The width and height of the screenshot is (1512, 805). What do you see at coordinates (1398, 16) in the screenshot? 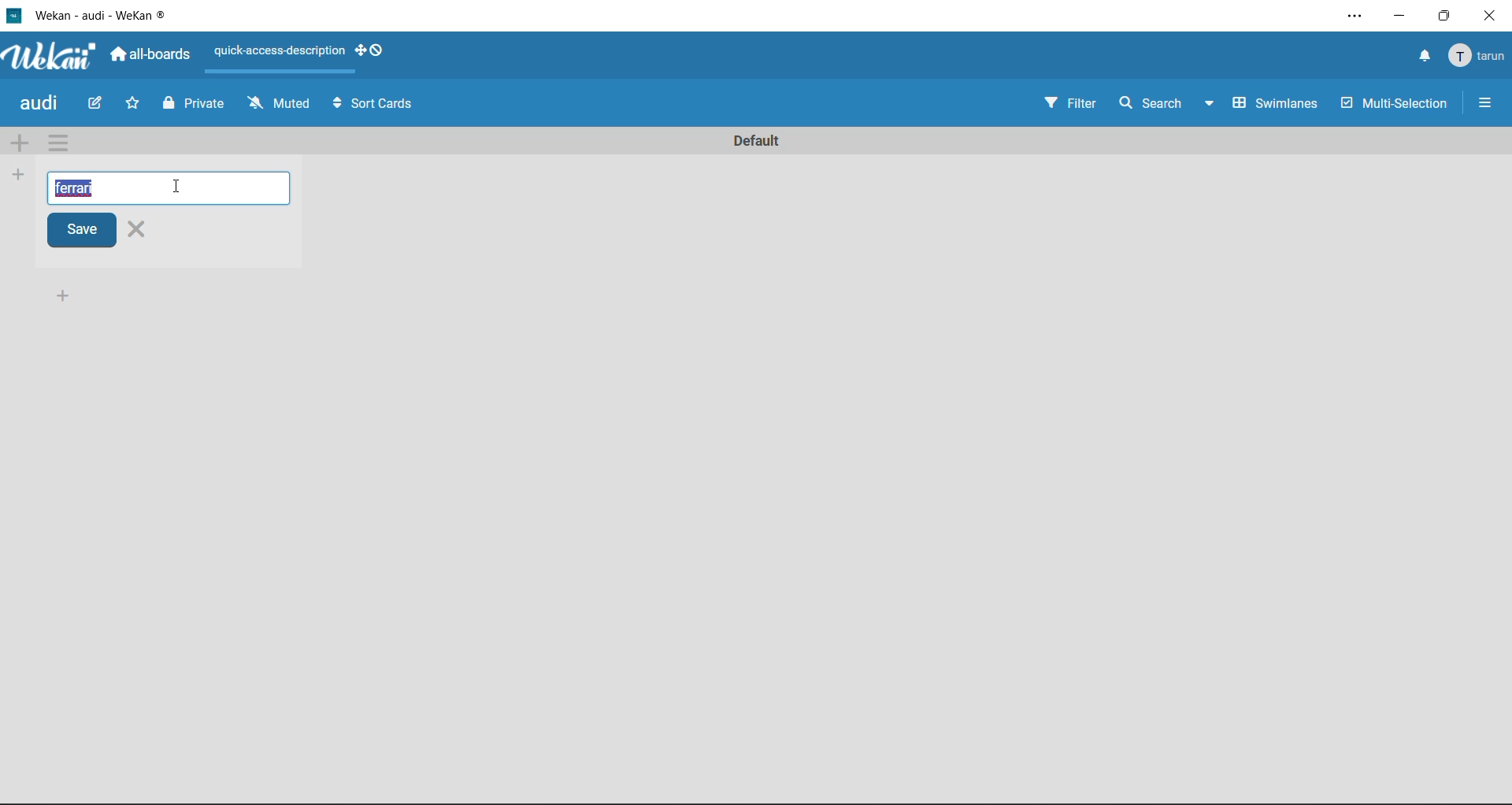
I see `` at bounding box center [1398, 16].